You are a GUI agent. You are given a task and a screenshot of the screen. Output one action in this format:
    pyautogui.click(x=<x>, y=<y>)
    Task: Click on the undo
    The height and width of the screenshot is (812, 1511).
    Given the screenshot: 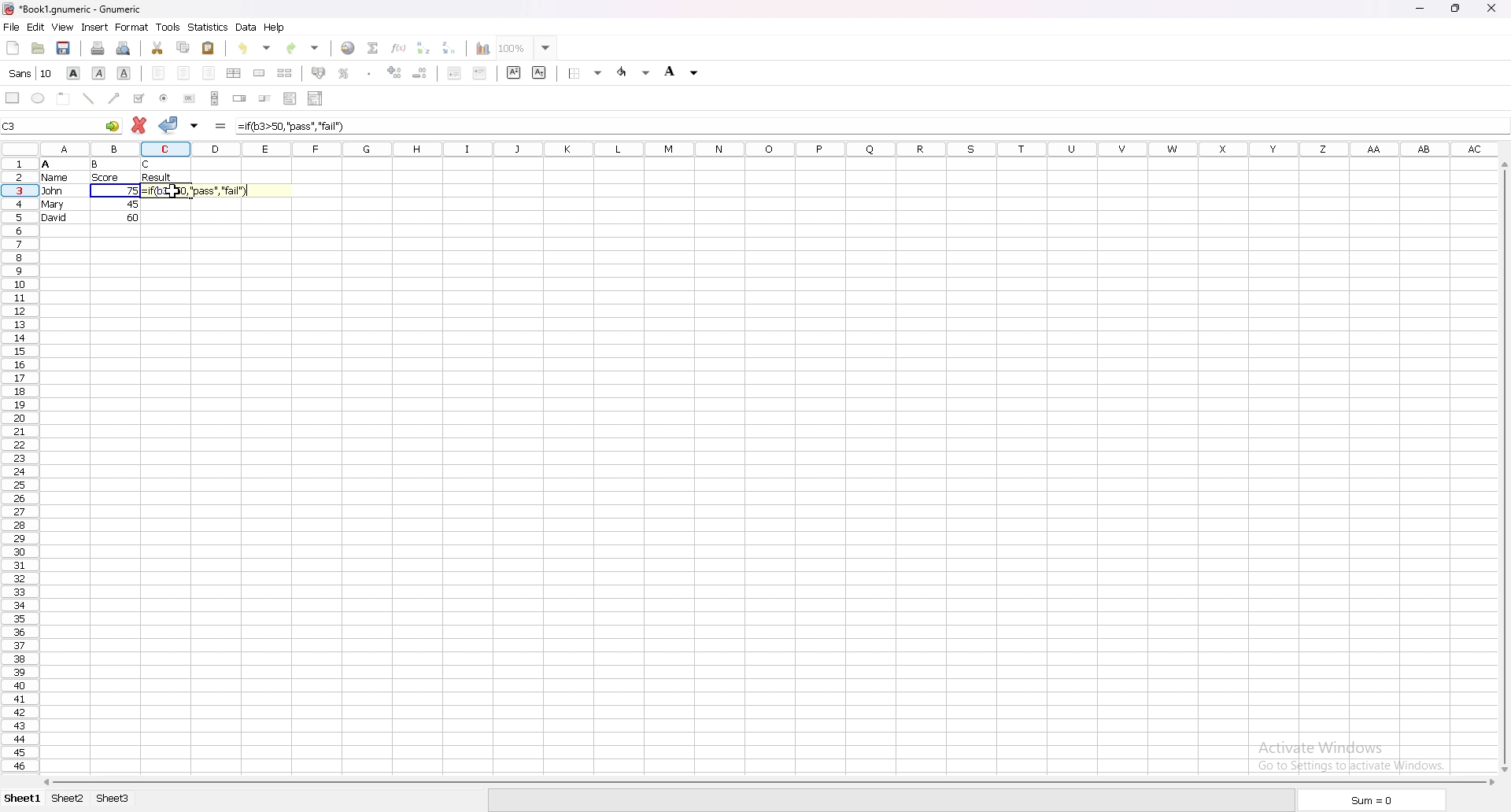 What is the action you would take?
    pyautogui.click(x=253, y=50)
    